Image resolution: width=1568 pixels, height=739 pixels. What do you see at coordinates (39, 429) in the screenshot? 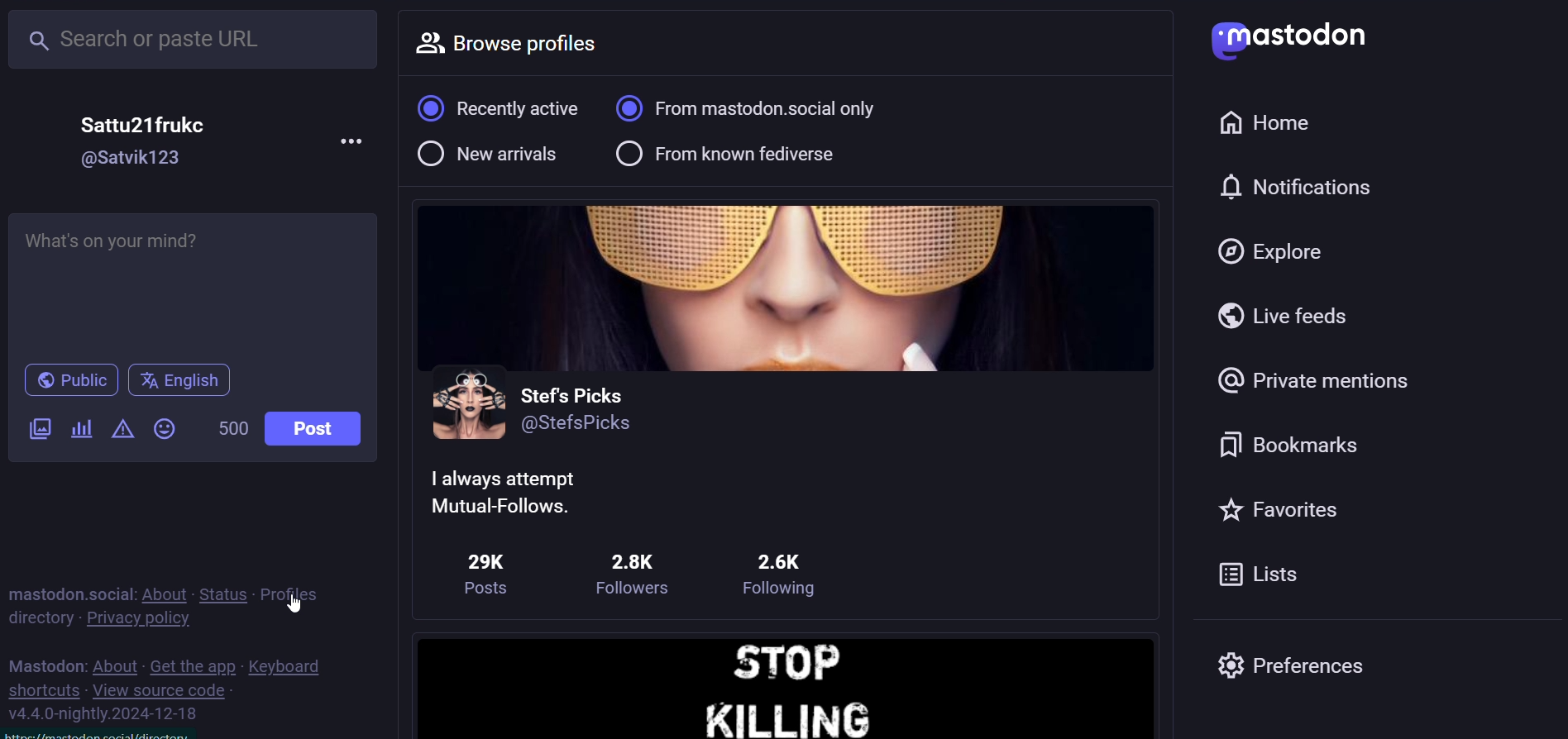
I see `image/video` at bounding box center [39, 429].